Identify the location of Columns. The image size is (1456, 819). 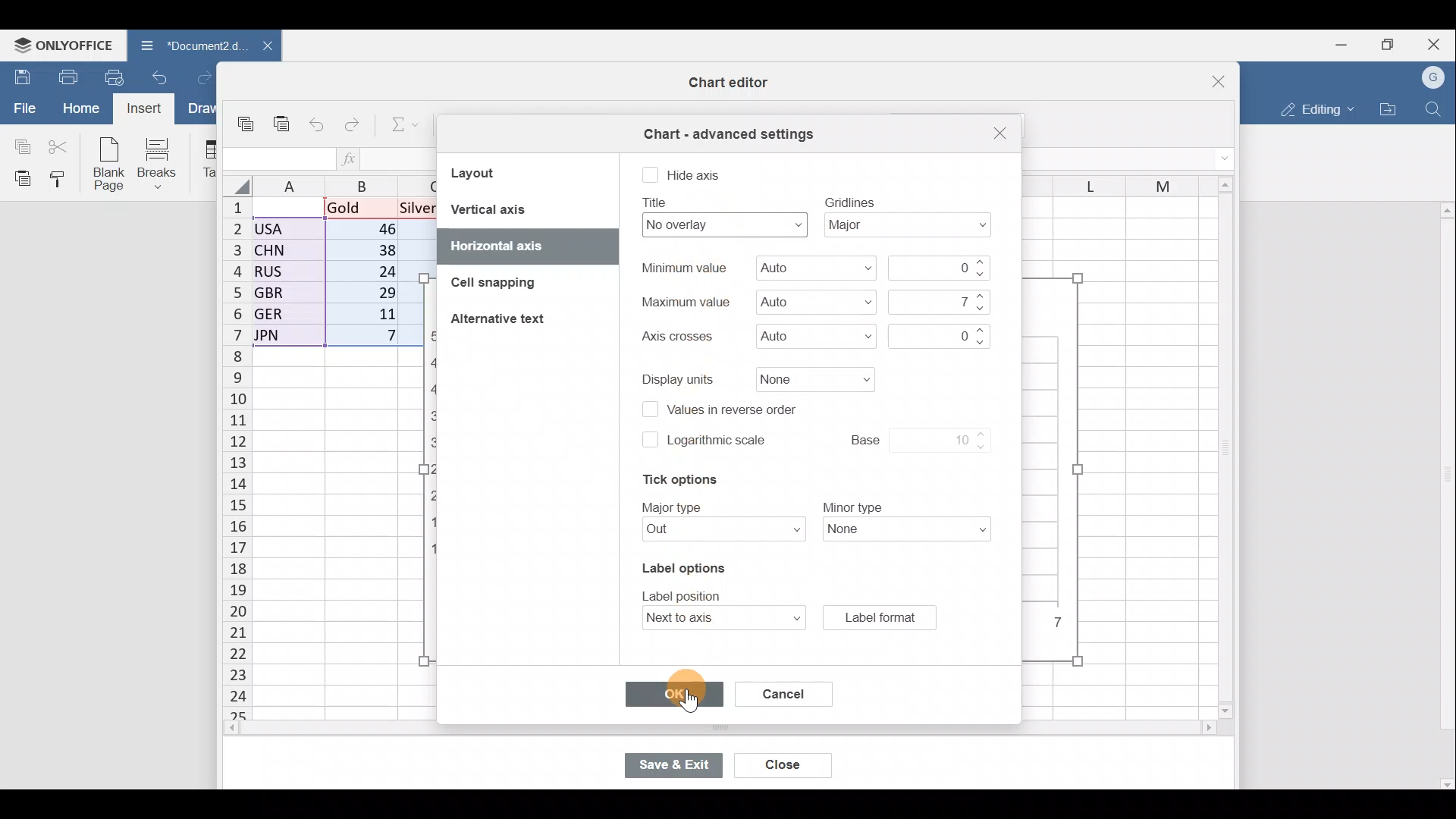
(1110, 180).